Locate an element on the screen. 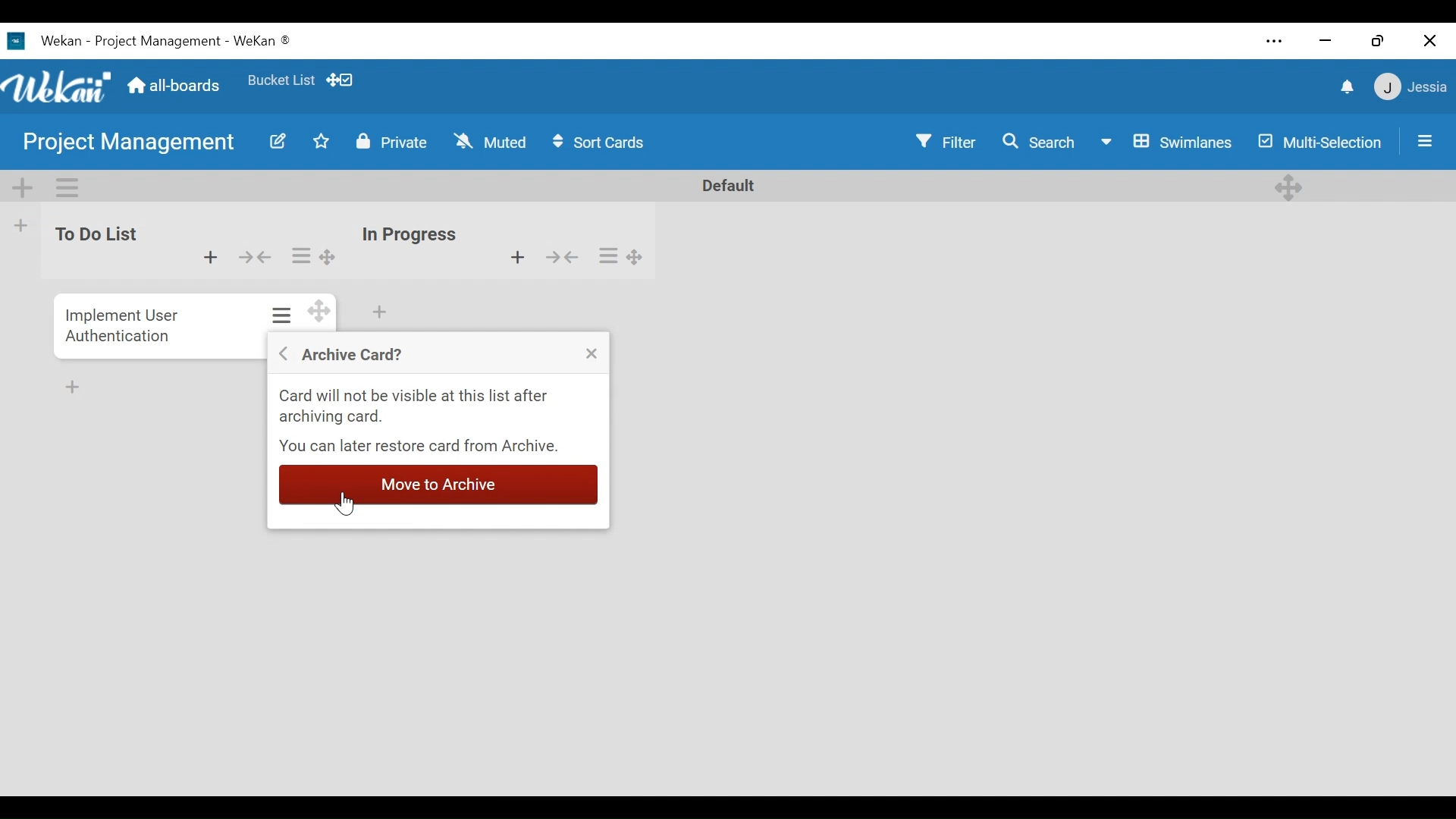 This screenshot has height=819, width=1456. Sort Card is located at coordinates (606, 143).